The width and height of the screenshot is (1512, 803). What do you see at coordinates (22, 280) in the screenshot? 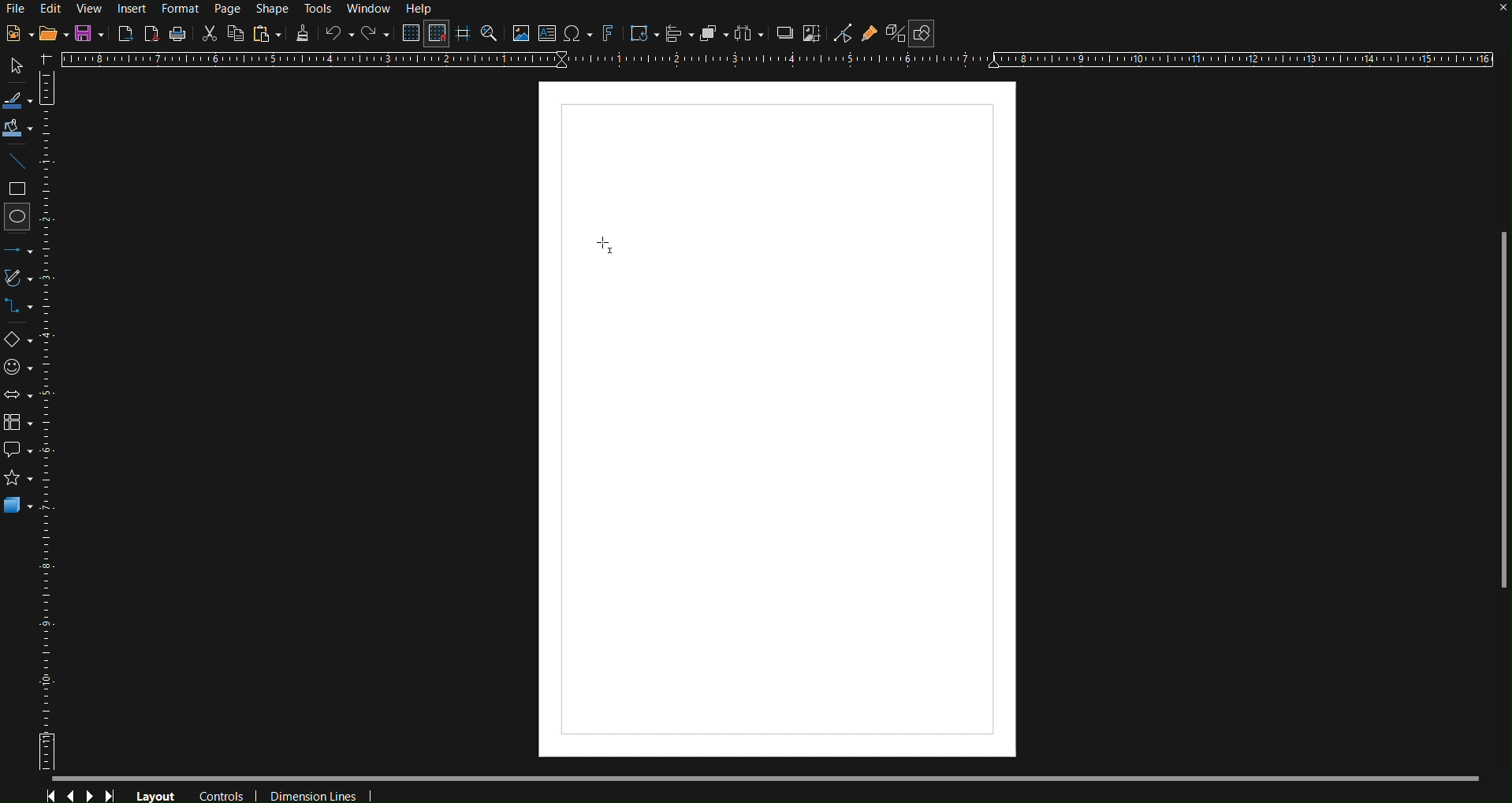
I see `Curves and Polygons` at bounding box center [22, 280].